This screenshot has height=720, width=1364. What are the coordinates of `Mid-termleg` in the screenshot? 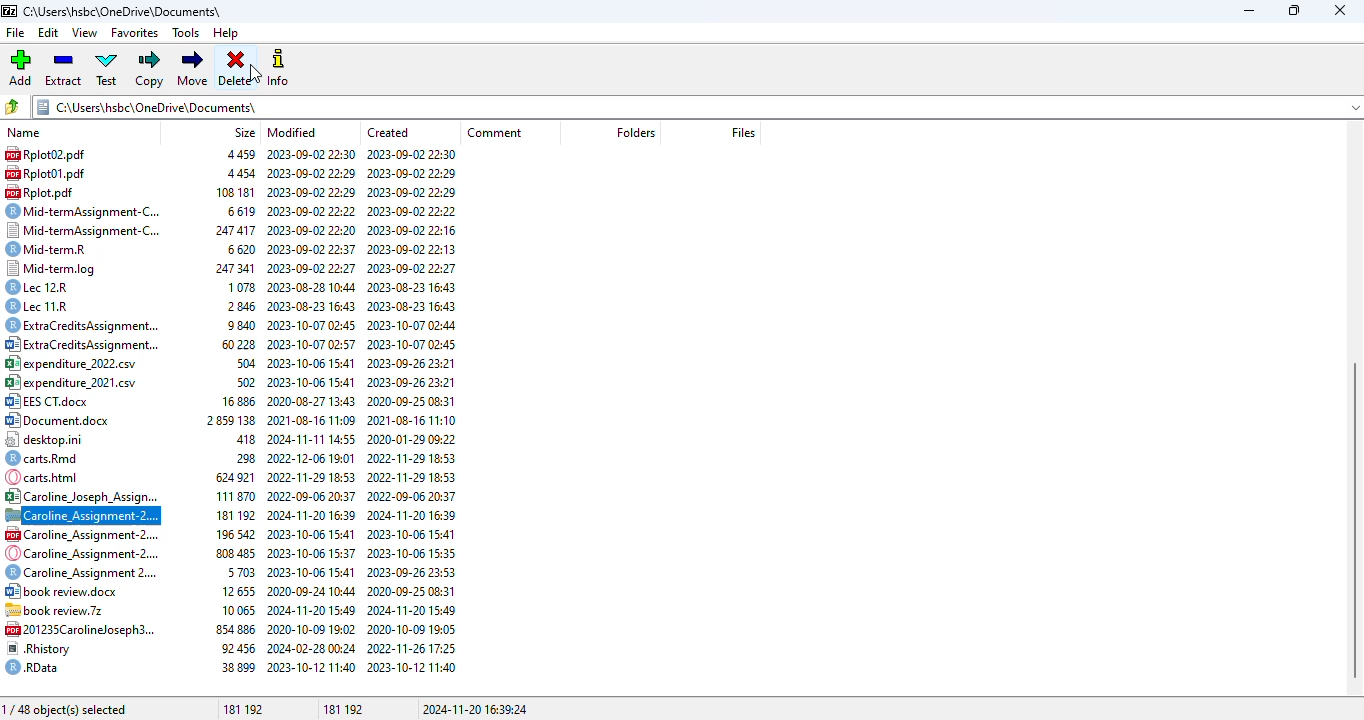 It's located at (58, 266).